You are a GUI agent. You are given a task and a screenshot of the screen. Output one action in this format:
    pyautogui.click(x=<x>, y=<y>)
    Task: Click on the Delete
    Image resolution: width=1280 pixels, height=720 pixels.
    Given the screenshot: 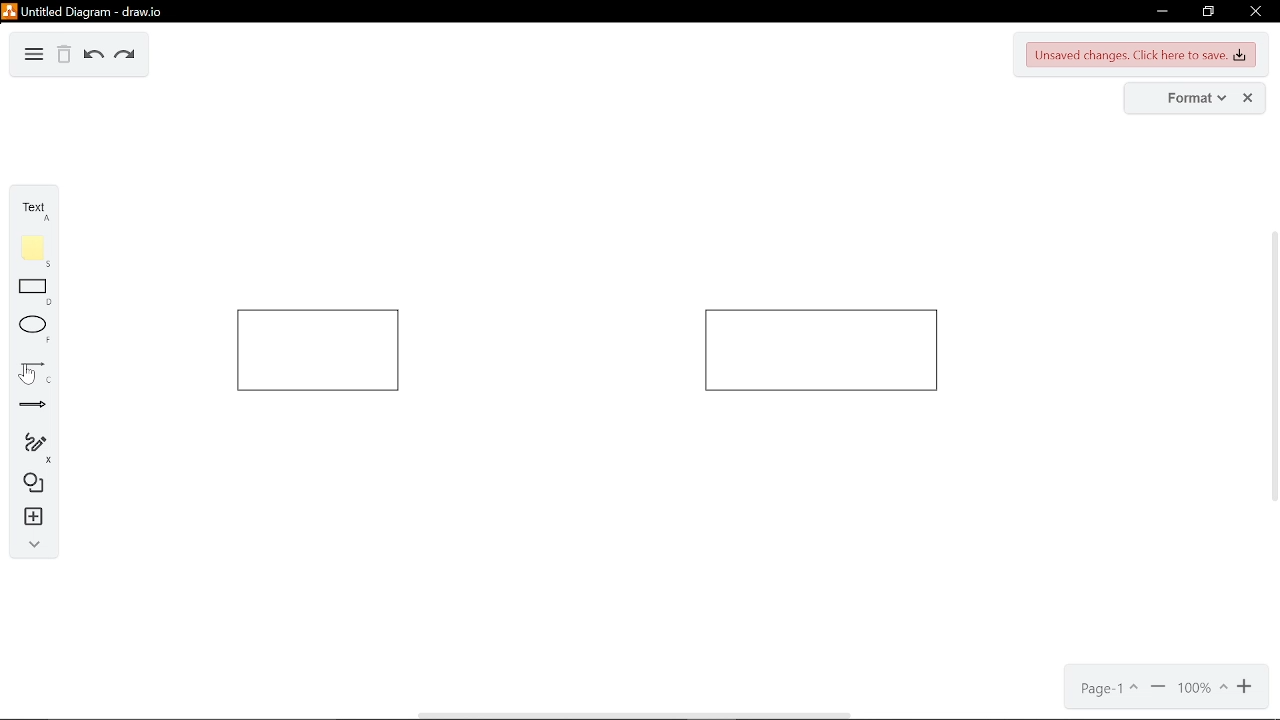 What is the action you would take?
    pyautogui.click(x=65, y=55)
    